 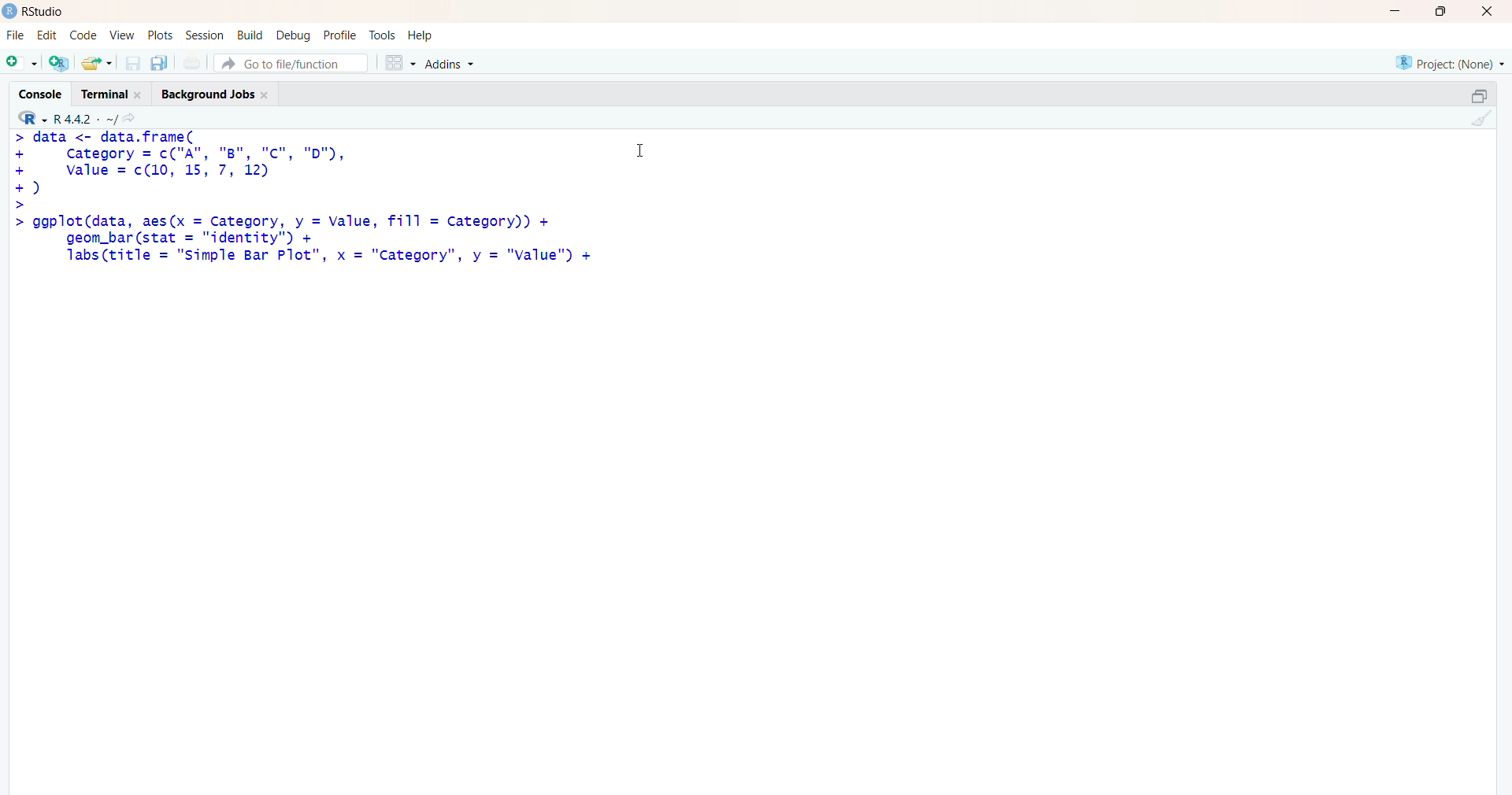 I want to click on profile, so click(x=339, y=36).